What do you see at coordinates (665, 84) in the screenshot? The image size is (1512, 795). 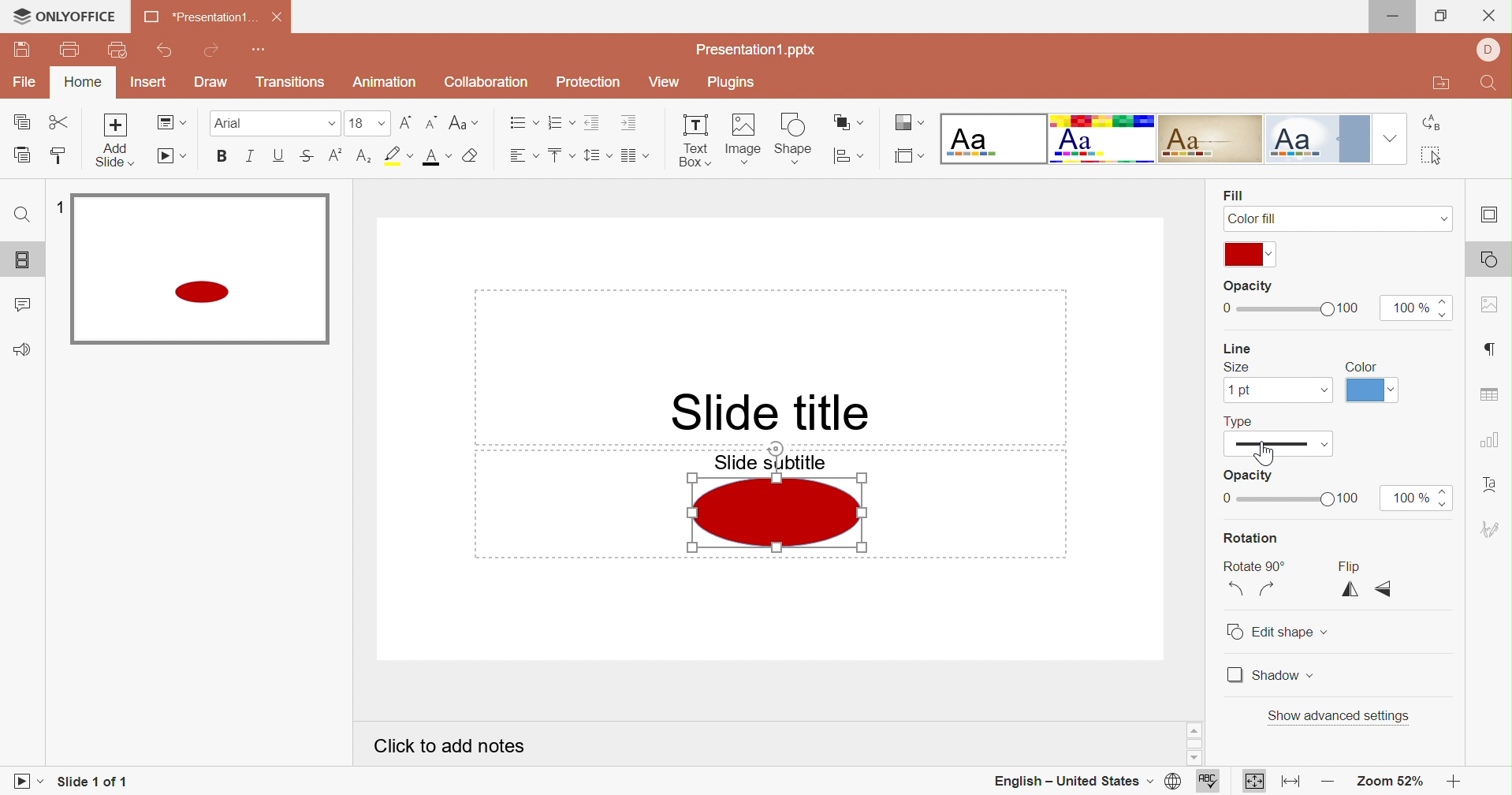 I see `View` at bounding box center [665, 84].